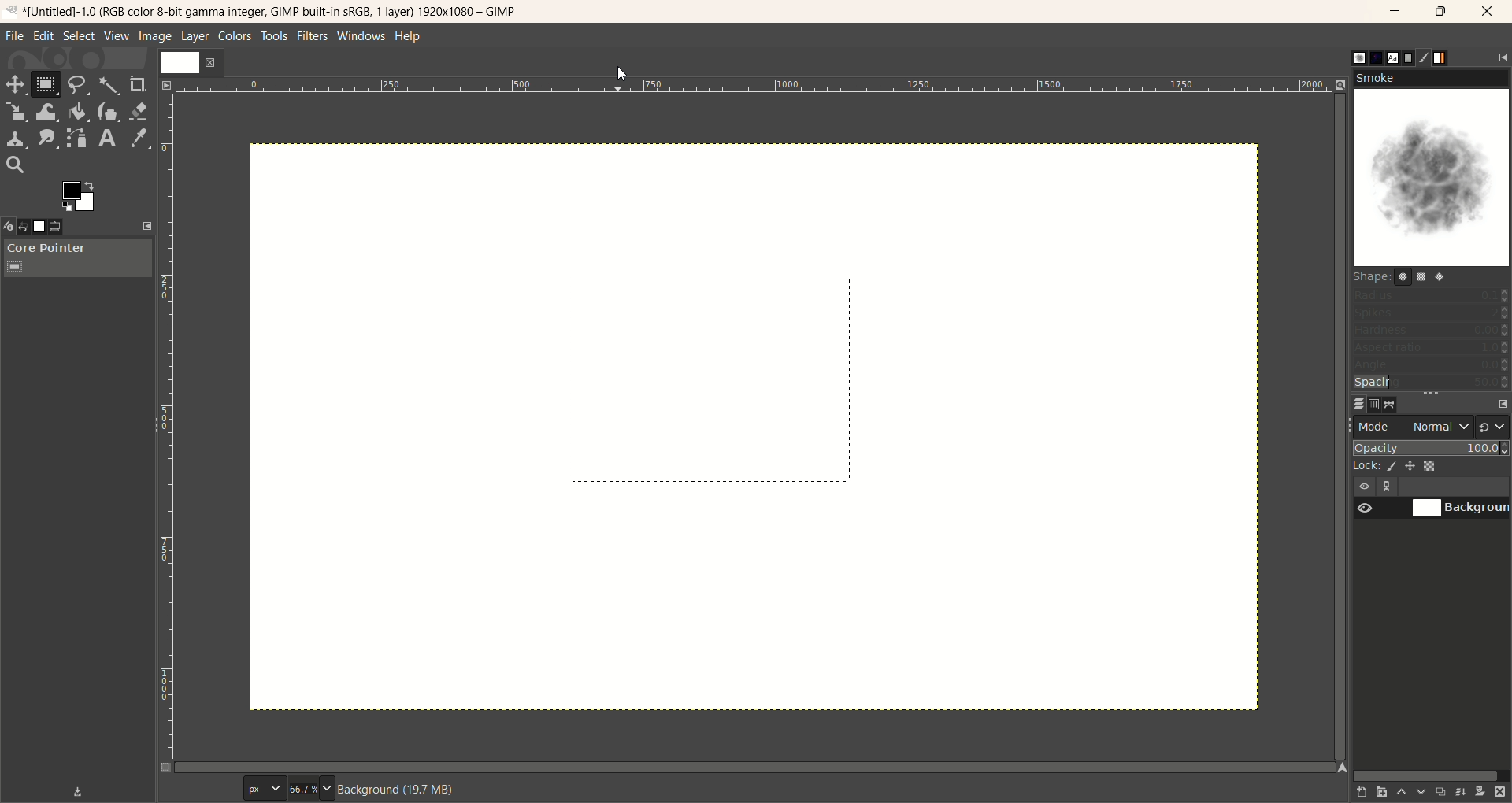  What do you see at coordinates (1365, 487) in the screenshot?
I see `visibility` at bounding box center [1365, 487].